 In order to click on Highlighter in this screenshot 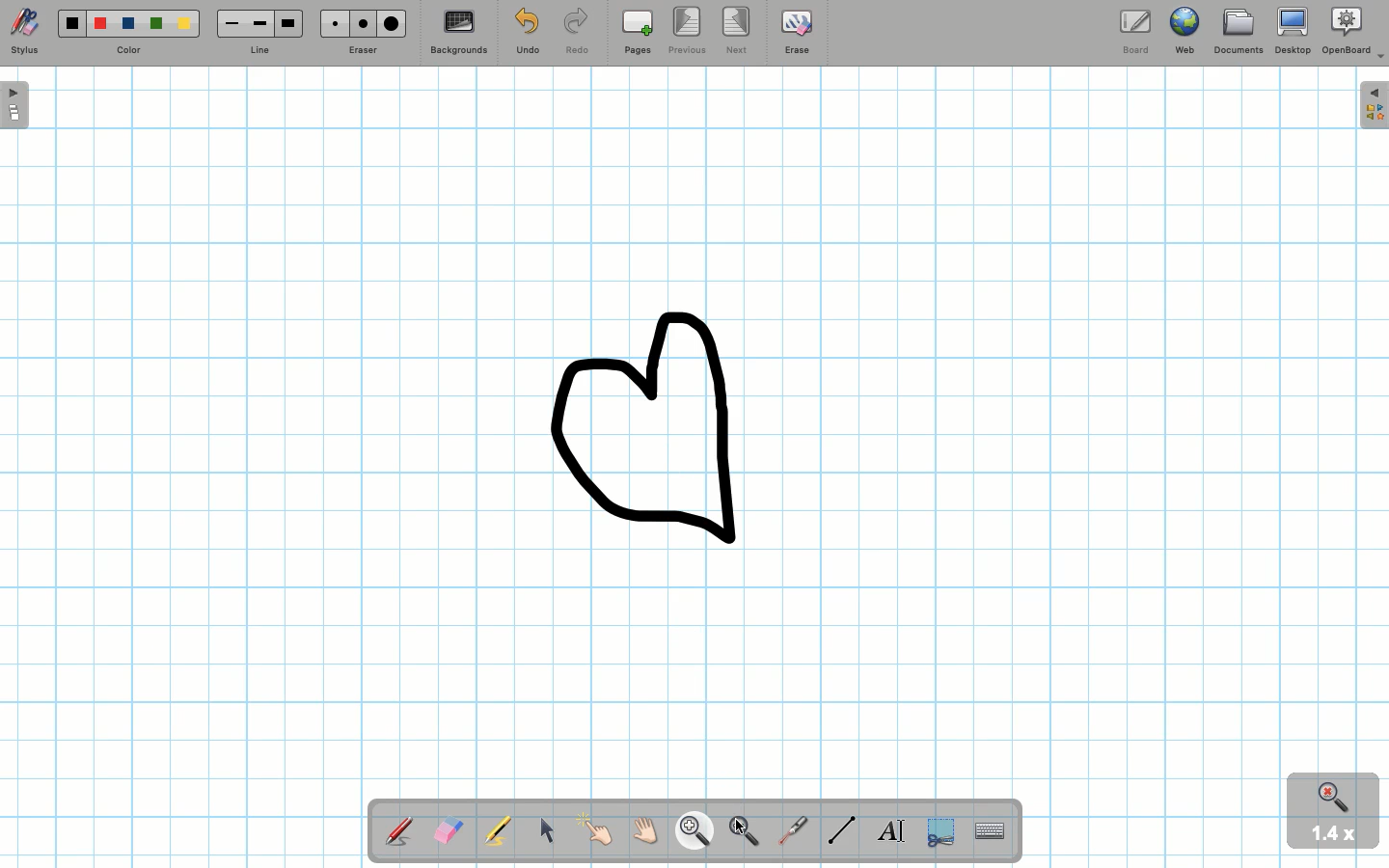, I will do `click(498, 832)`.